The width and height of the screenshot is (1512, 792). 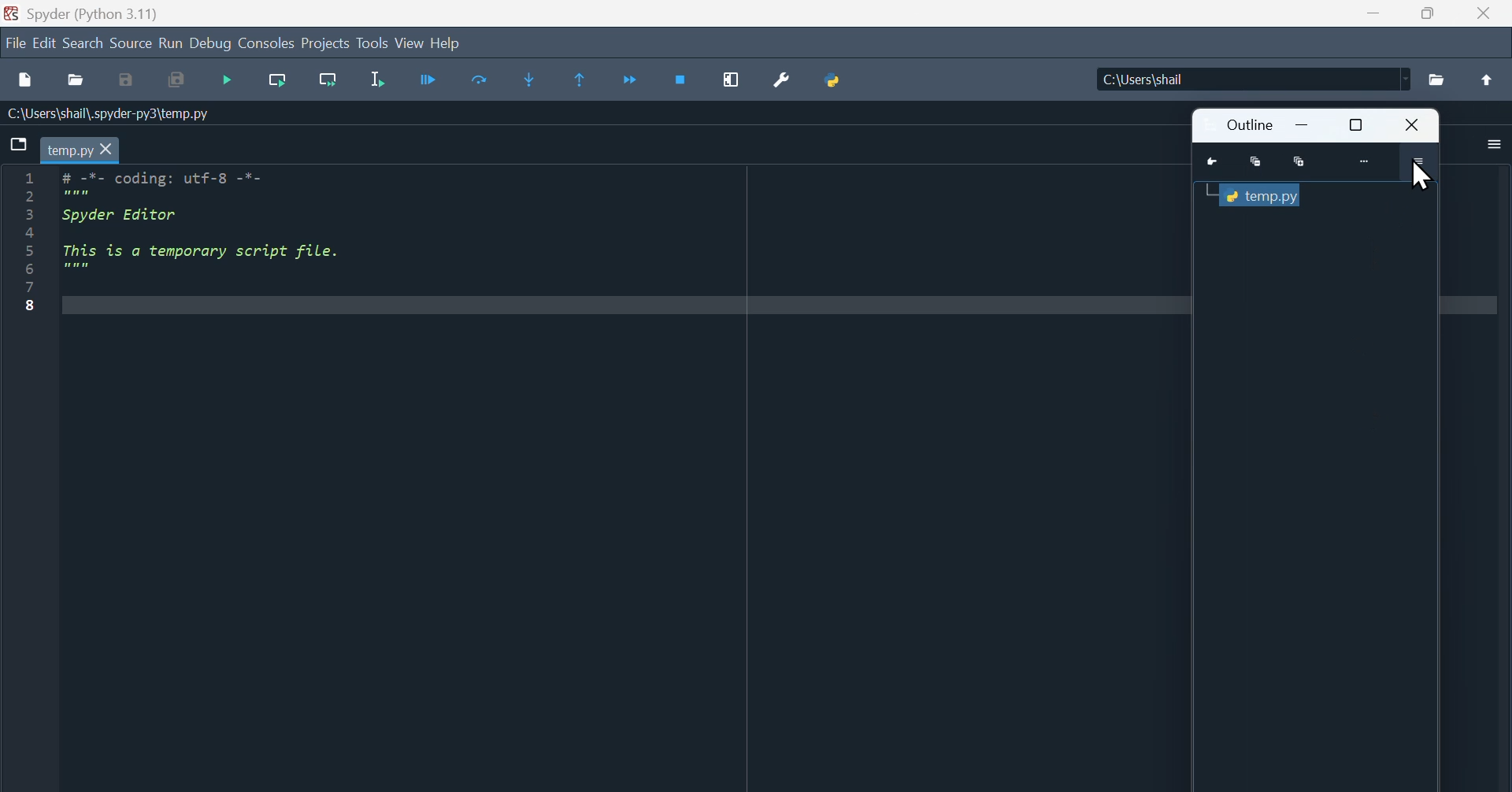 What do you see at coordinates (783, 80) in the screenshot?
I see `Preferences` at bounding box center [783, 80].